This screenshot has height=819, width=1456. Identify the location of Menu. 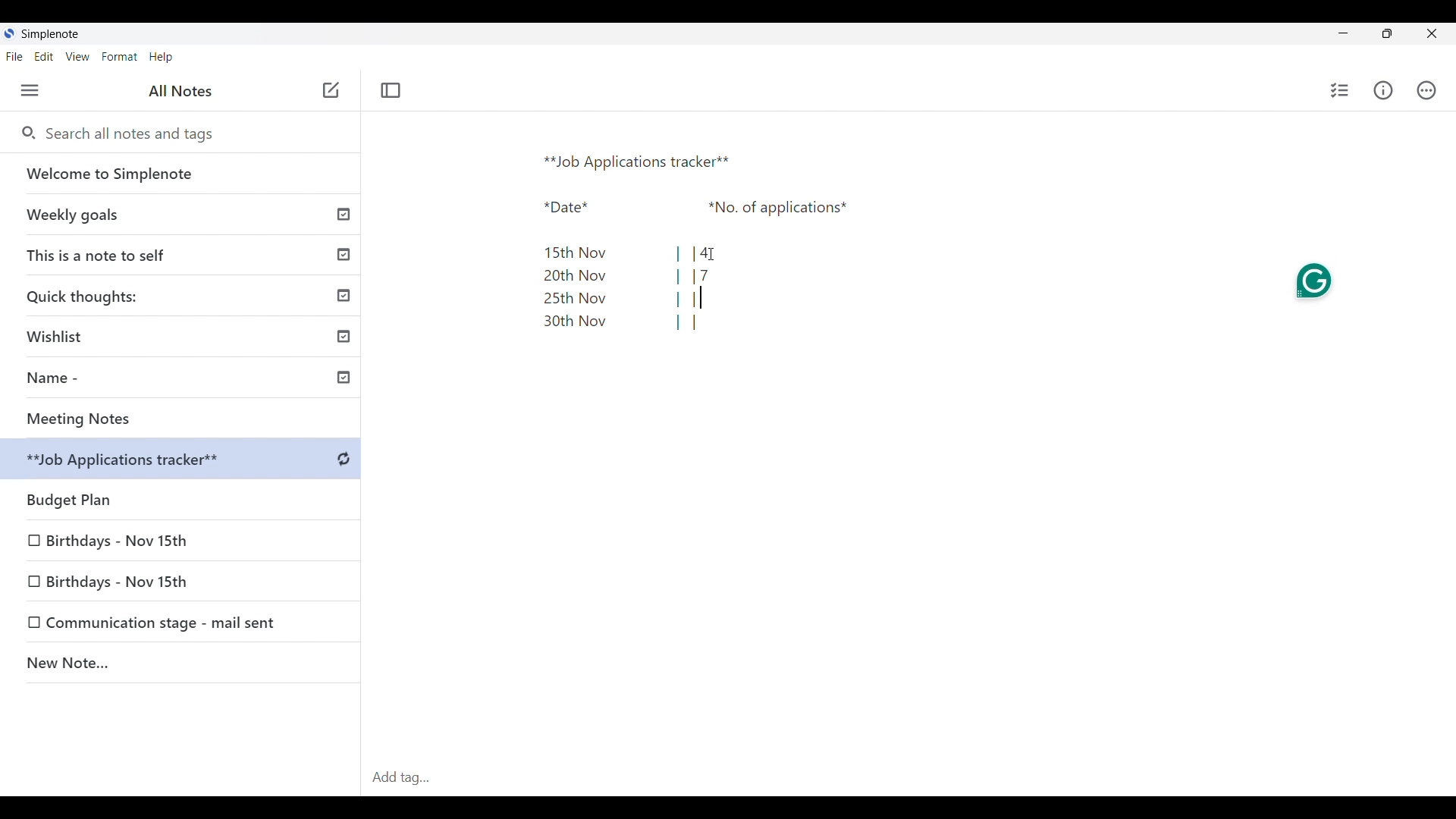
(30, 90).